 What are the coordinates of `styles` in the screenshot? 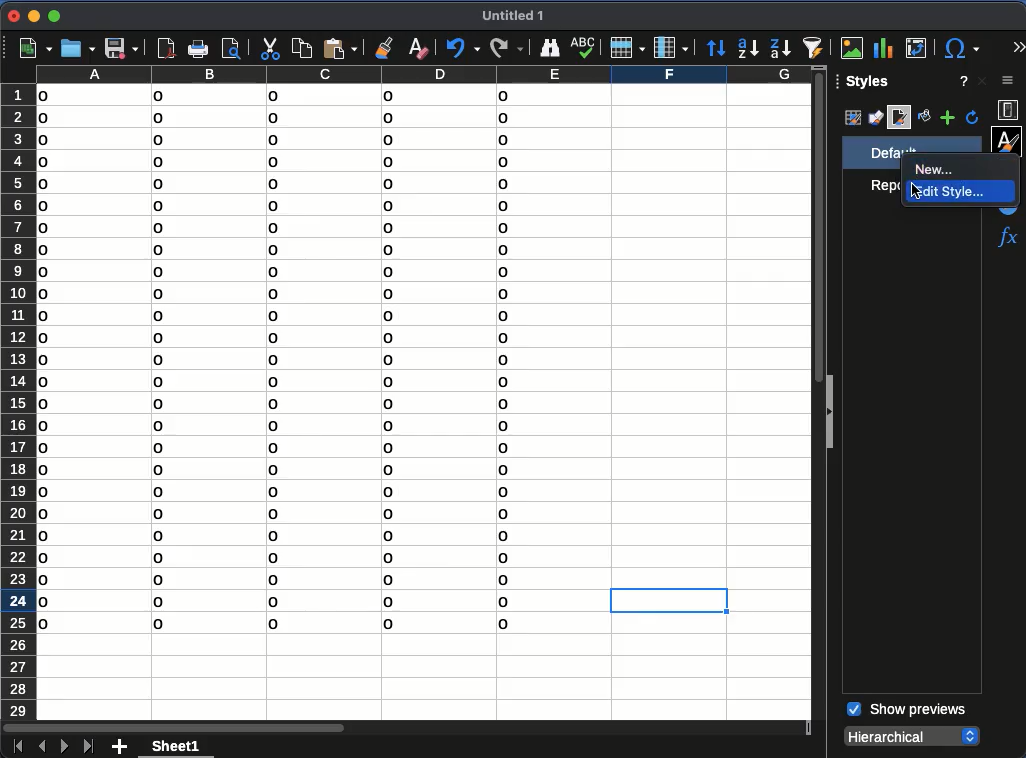 It's located at (1009, 140).